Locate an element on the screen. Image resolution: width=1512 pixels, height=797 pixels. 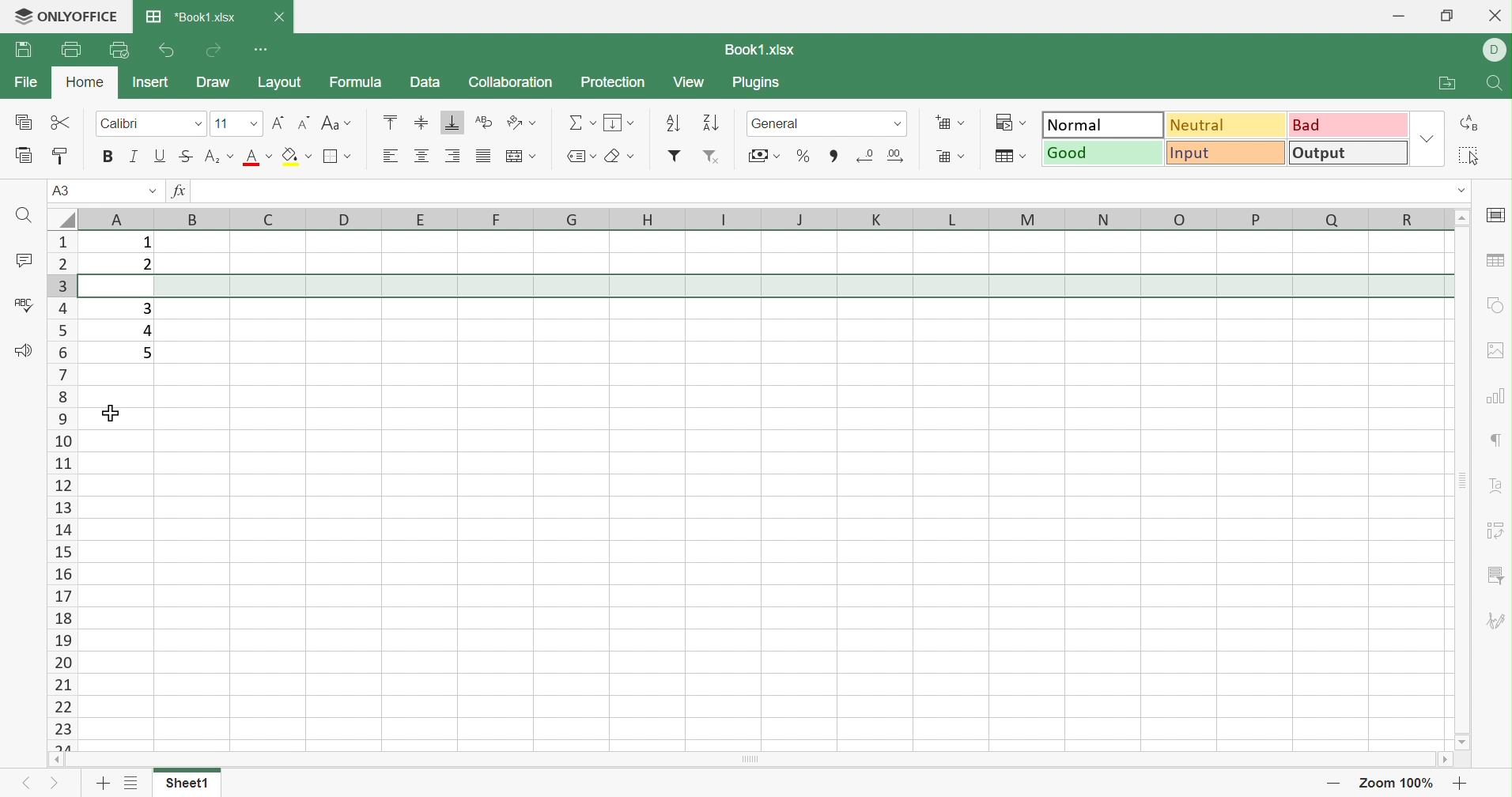
Add sheet is located at coordinates (102, 782).